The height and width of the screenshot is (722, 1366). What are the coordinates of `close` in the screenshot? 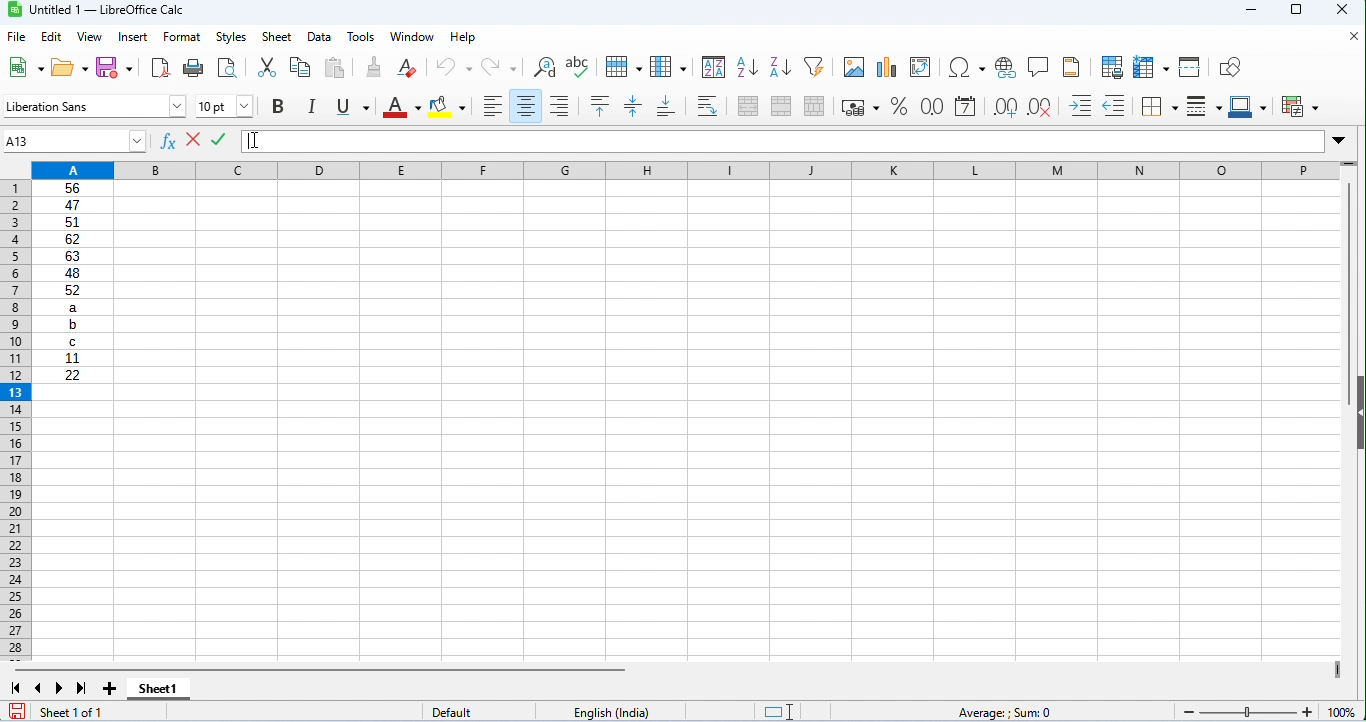 It's located at (1351, 35).